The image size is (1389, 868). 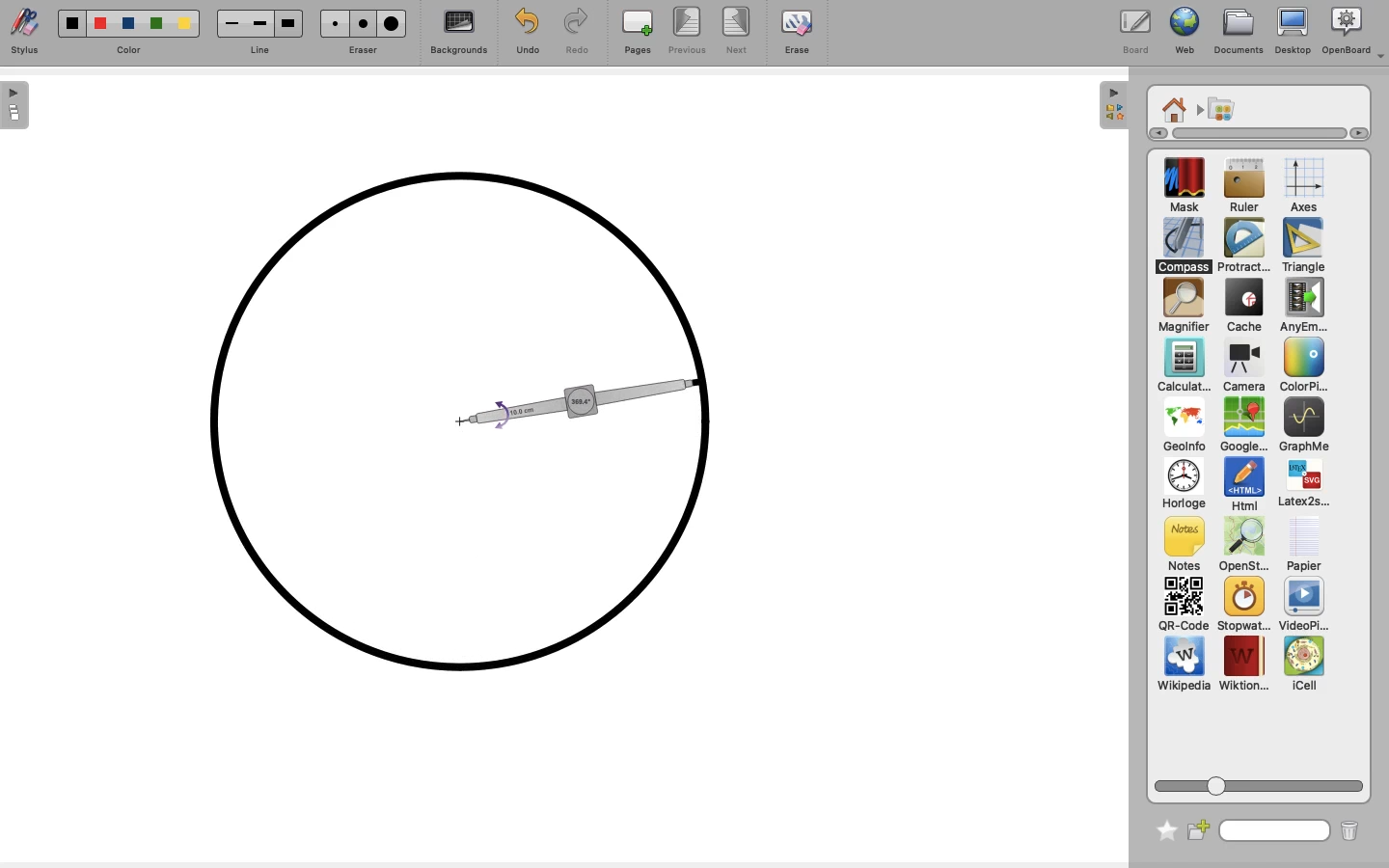 I want to click on Triangle, so click(x=1301, y=246).